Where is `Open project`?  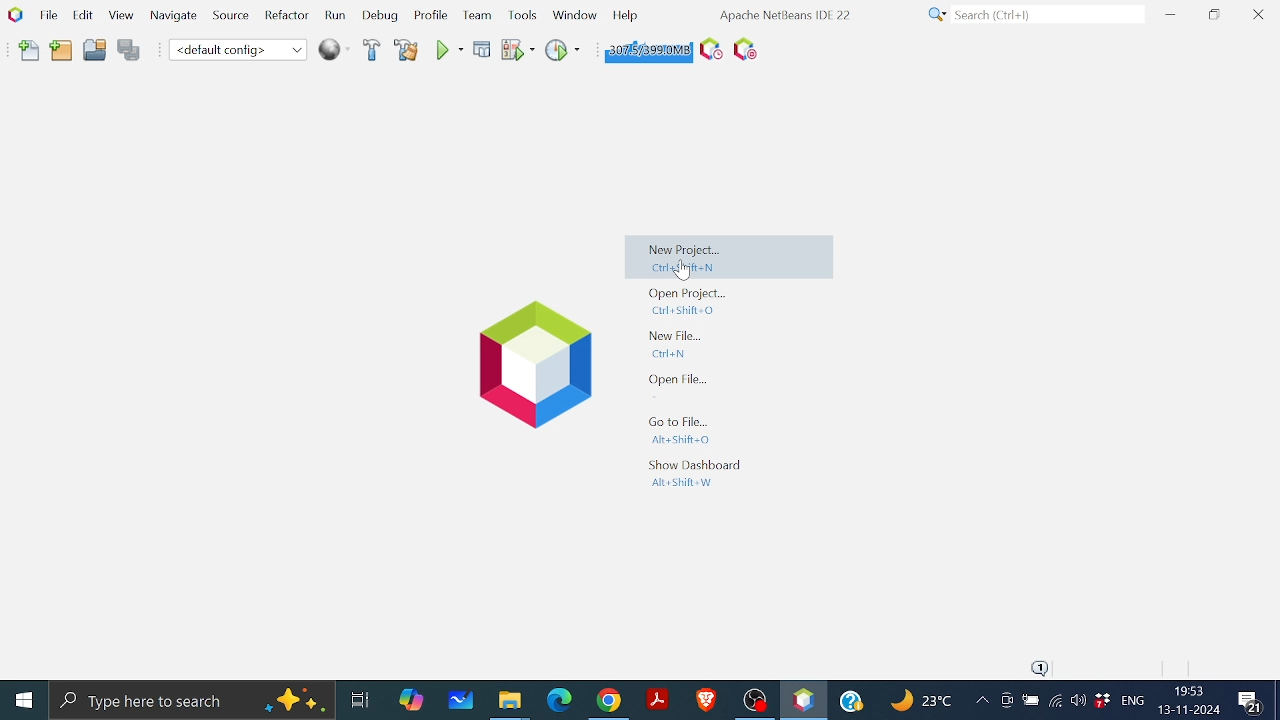 Open project is located at coordinates (95, 53).